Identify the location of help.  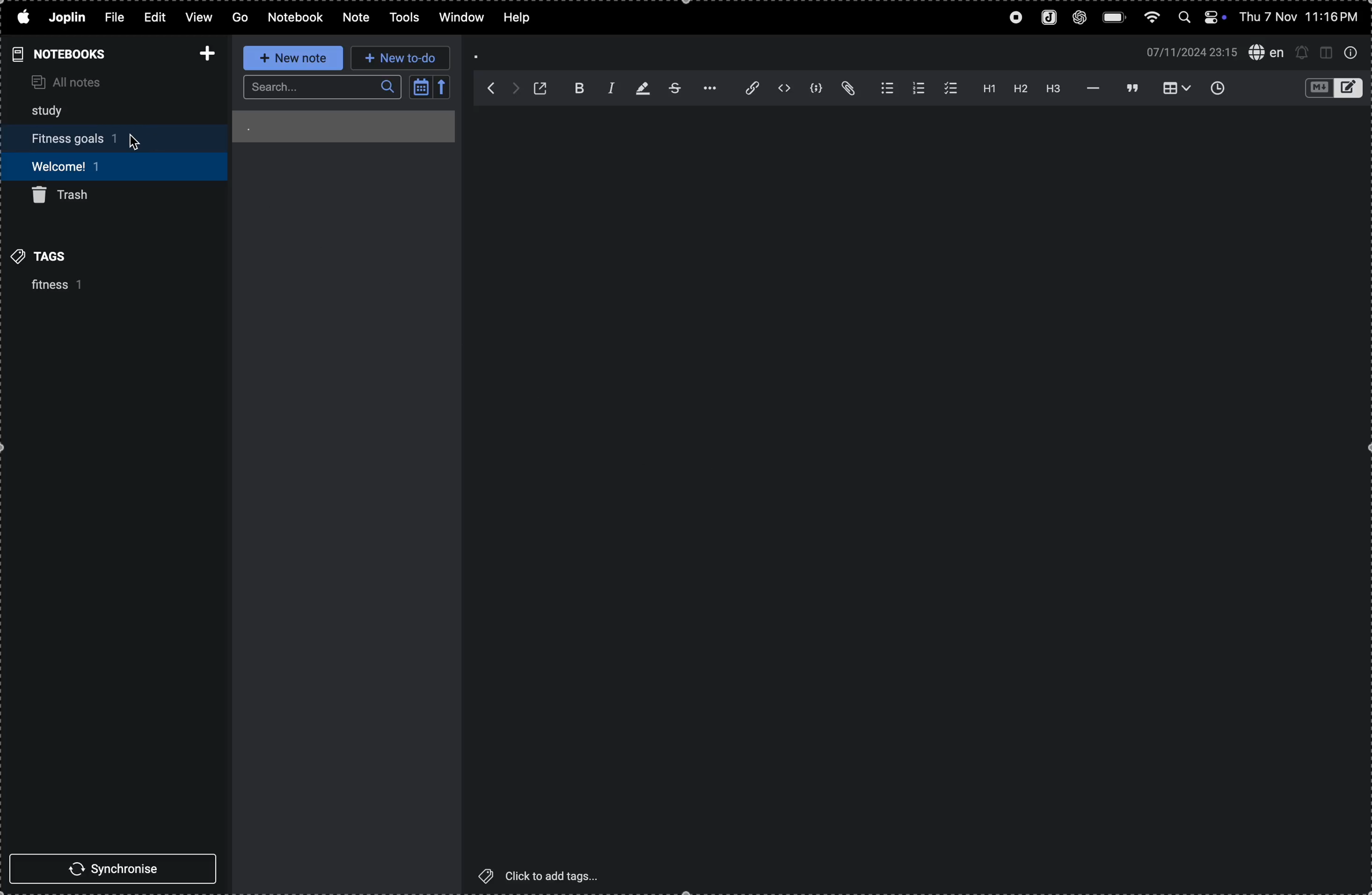
(517, 16).